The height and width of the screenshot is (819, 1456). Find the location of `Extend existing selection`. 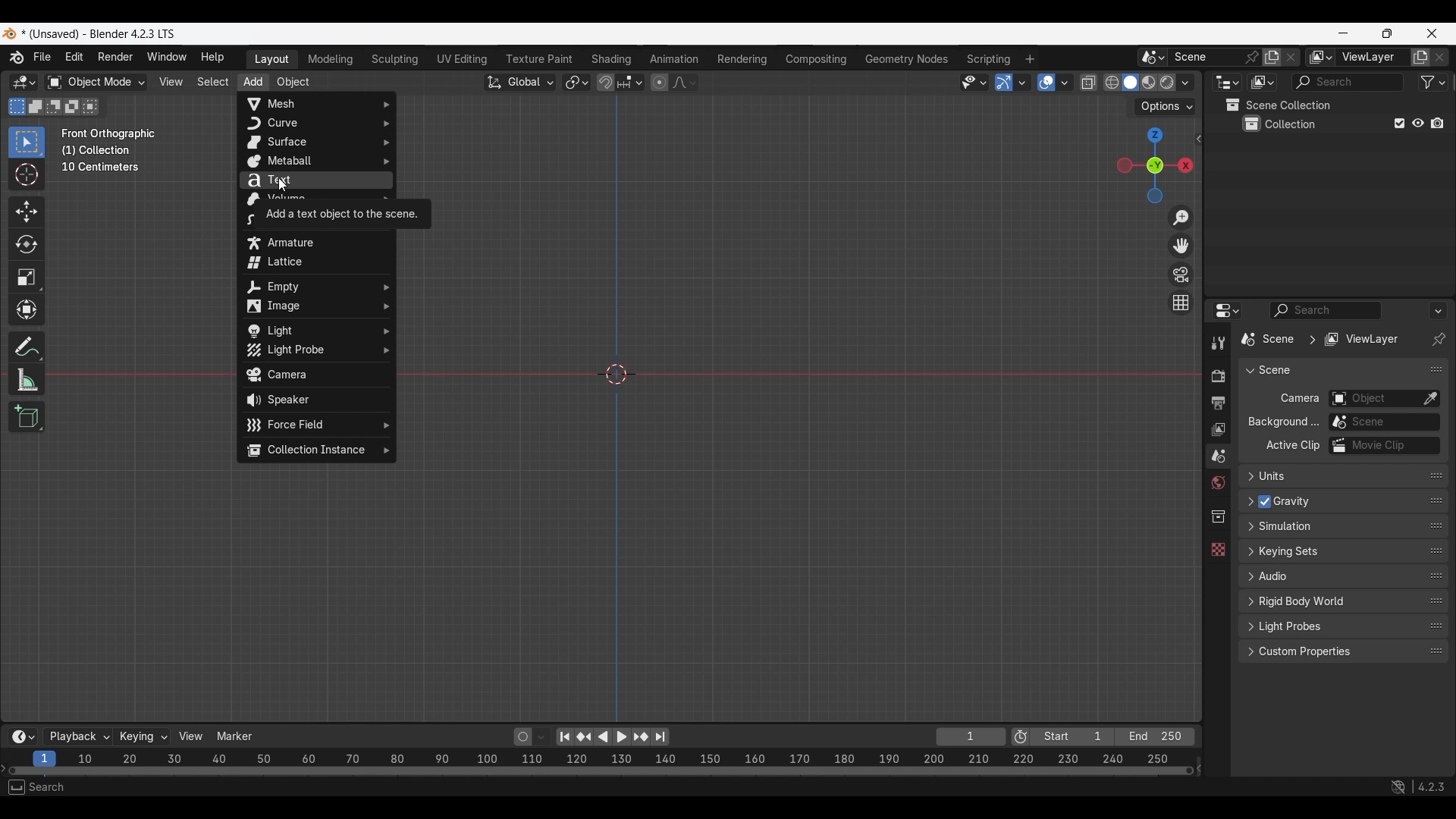

Extend existing selection is located at coordinates (36, 107).